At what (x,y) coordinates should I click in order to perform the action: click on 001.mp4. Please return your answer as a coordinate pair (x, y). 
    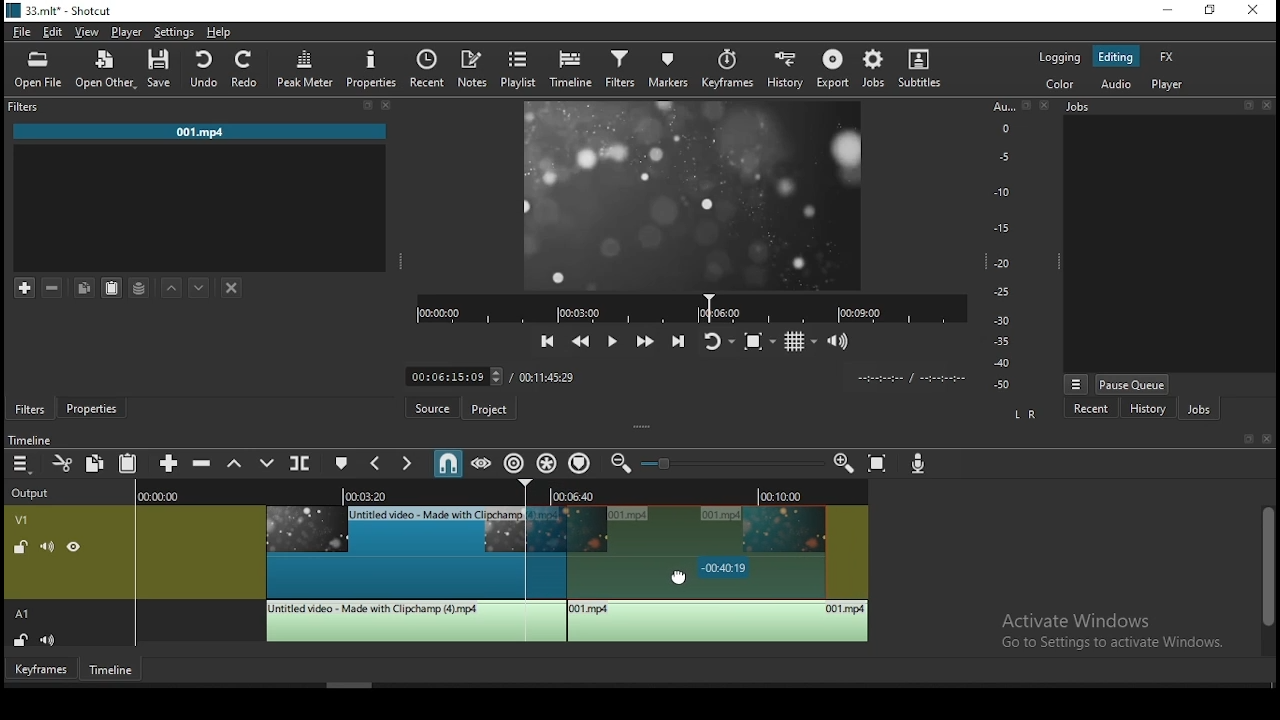
    Looking at the image, I should click on (203, 132).